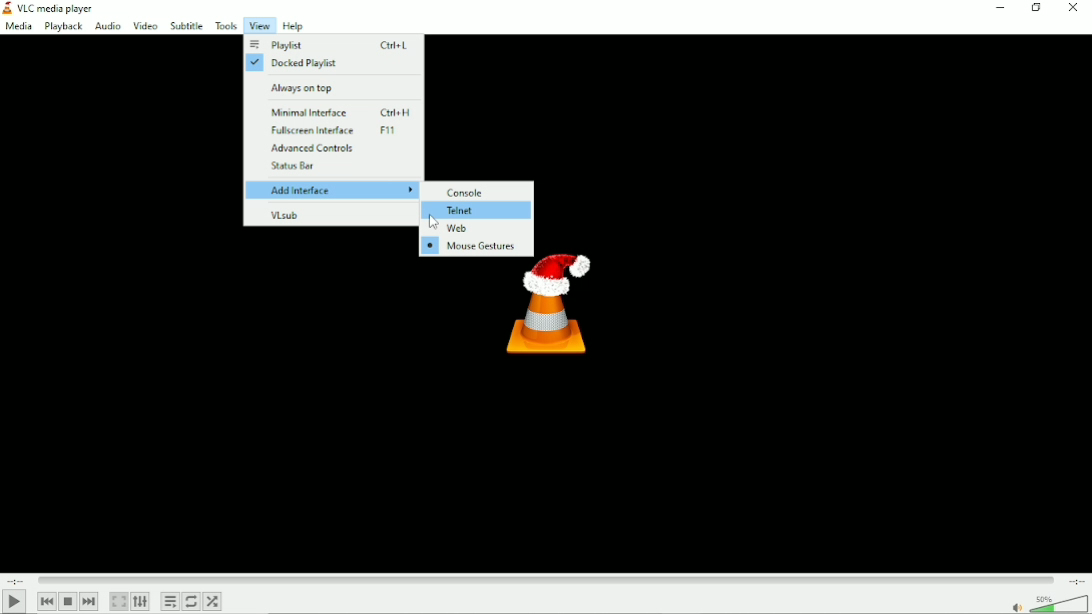 The height and width of the screenshot is (614, 1092). I want to click on Media, so click(18, 28).